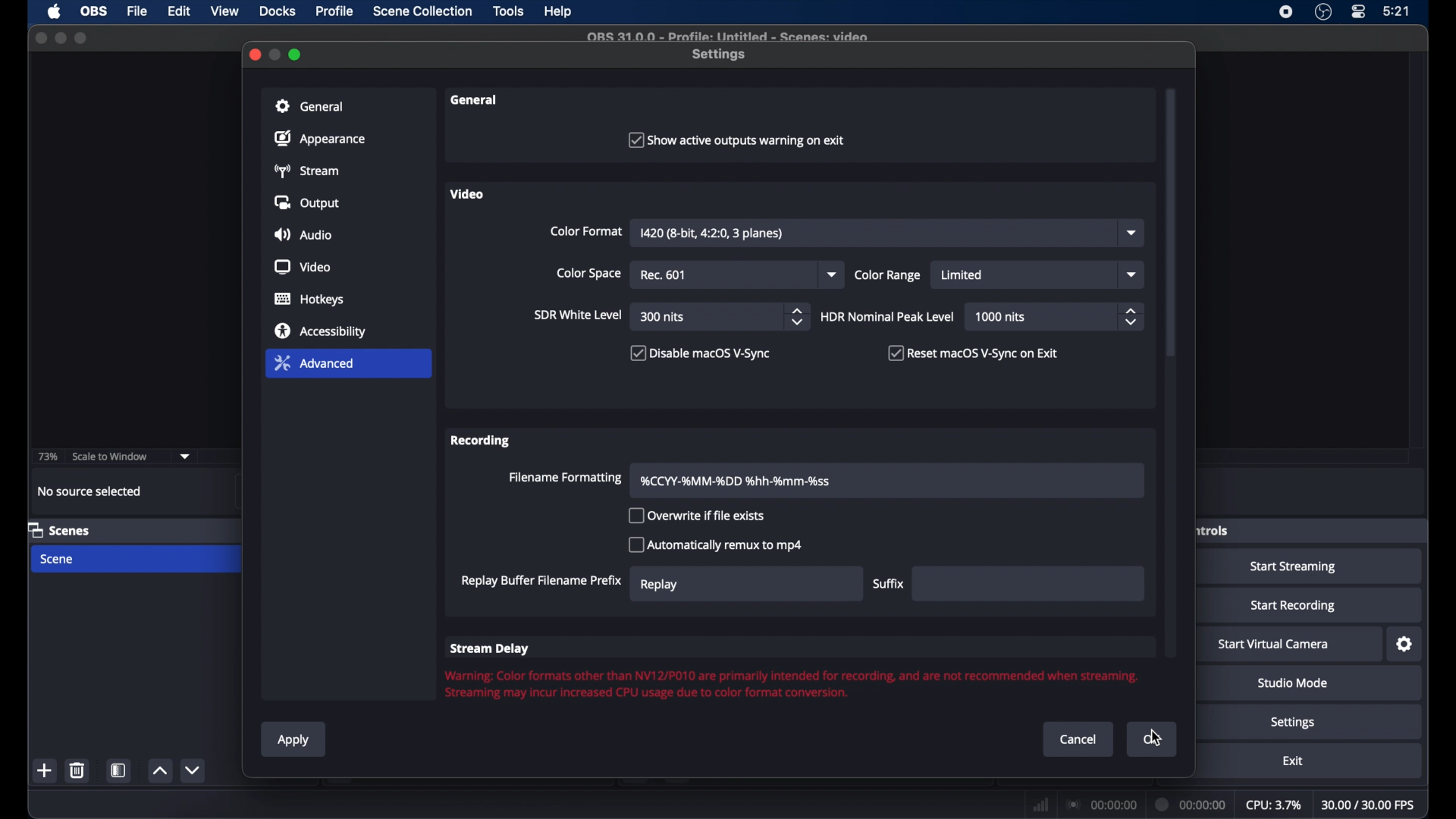  Describe the element at coordinates (1079, 740) in the screenshot. I see `cancel` at that location.